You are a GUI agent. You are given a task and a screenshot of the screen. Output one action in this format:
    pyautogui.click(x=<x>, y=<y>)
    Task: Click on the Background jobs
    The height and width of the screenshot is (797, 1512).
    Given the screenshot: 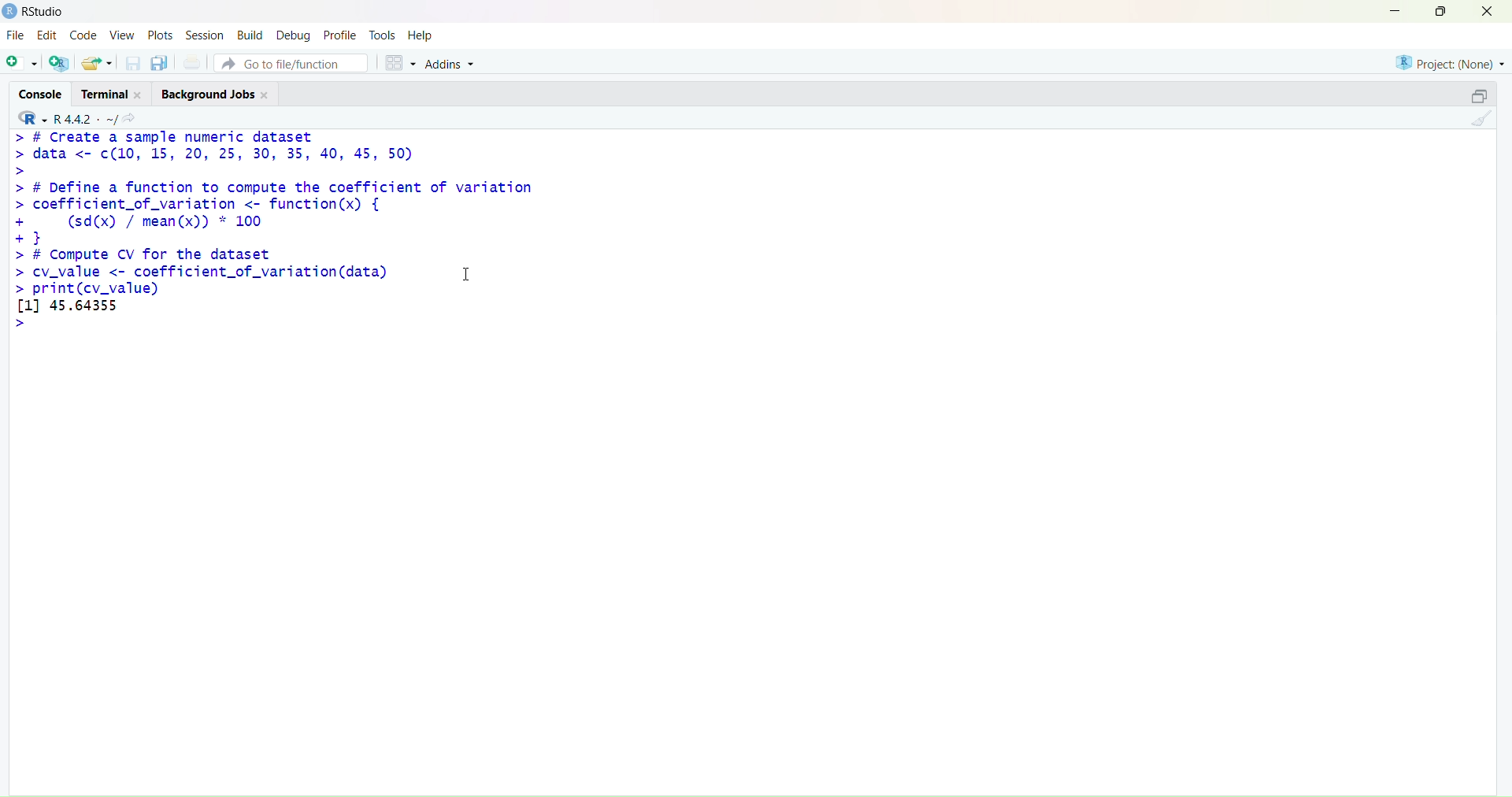 What is the action you would take?
    pyautogui.click(x=207, y=96)
    